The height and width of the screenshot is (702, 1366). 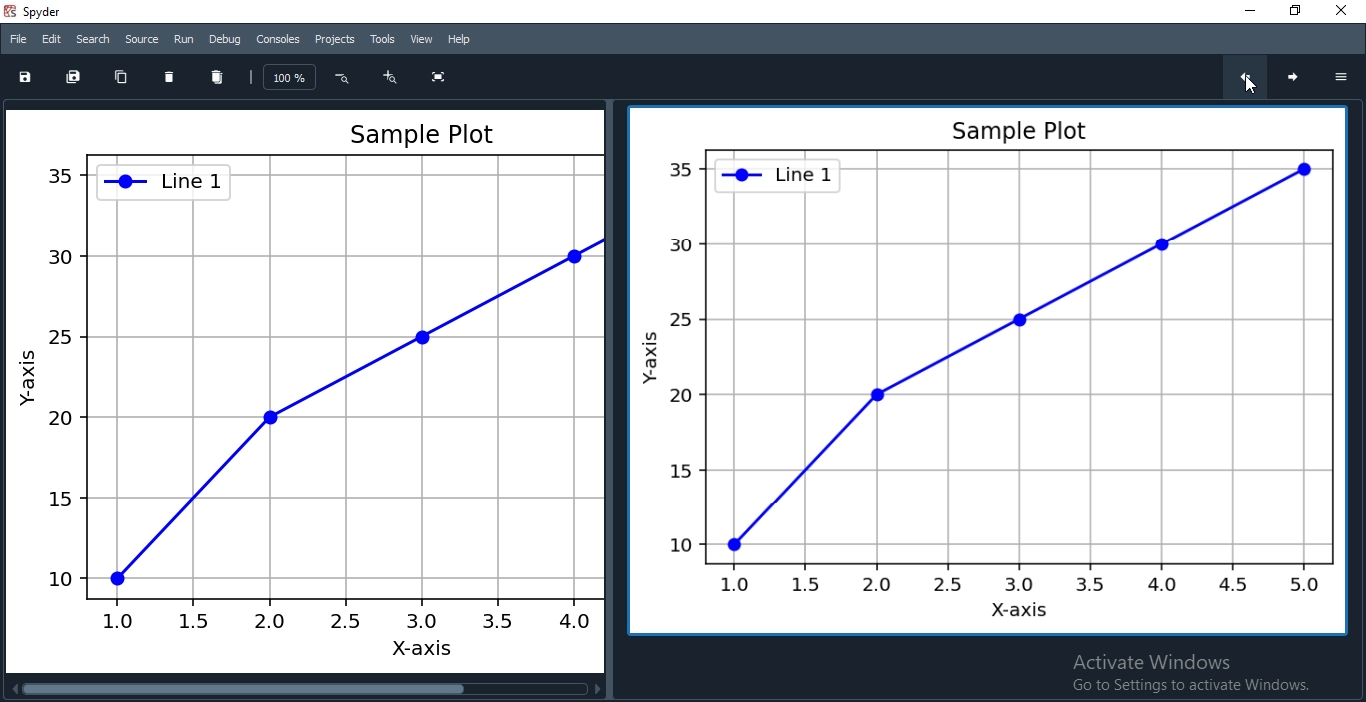 What do you see at coordinates (1342, 13) in the screenshot?
I see `Close` at bounding box center [1342, 13].